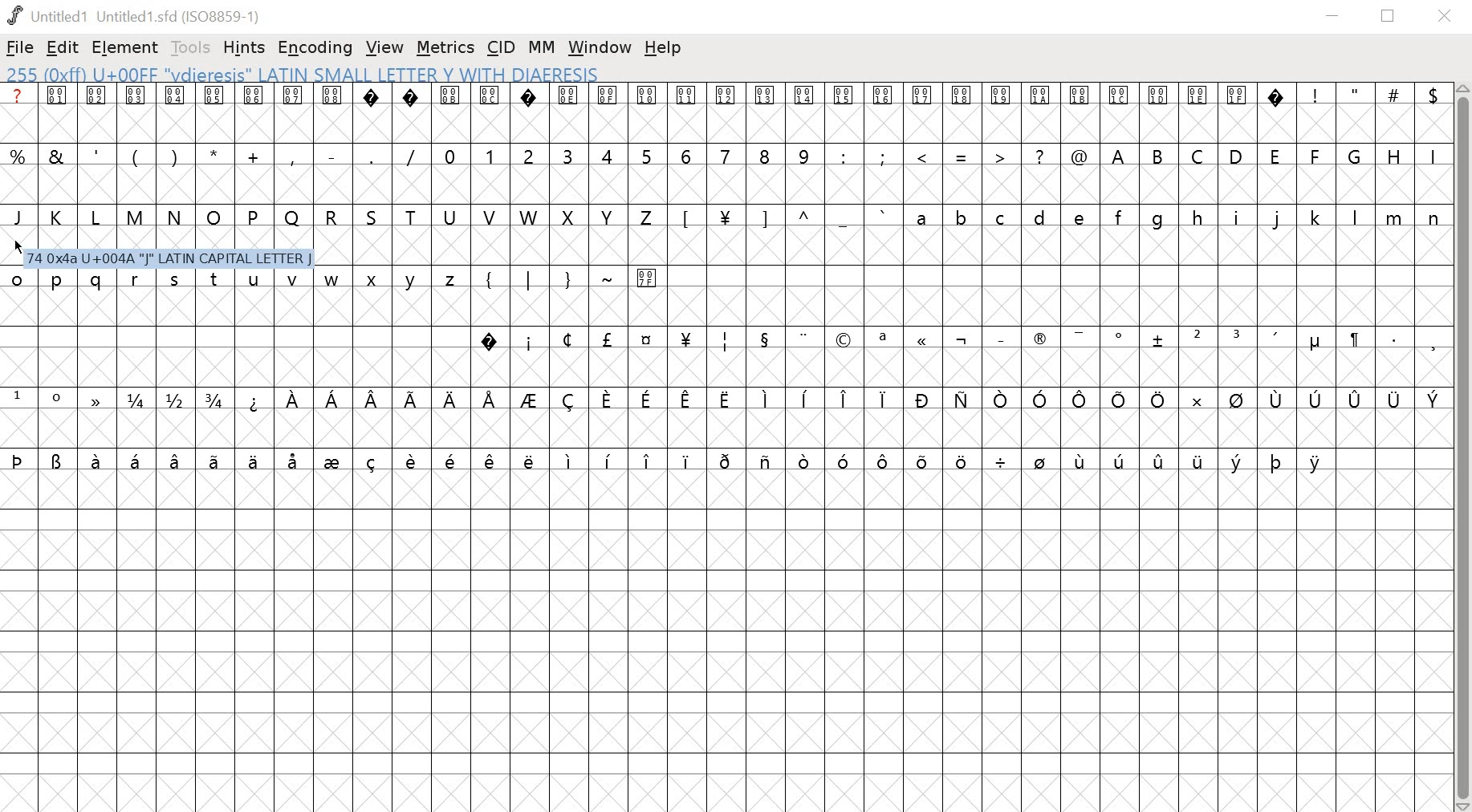 The image size is (1472, 812). Describe the element at coordinates (215, 155) in the screenshot. I see `special characters` at that location.